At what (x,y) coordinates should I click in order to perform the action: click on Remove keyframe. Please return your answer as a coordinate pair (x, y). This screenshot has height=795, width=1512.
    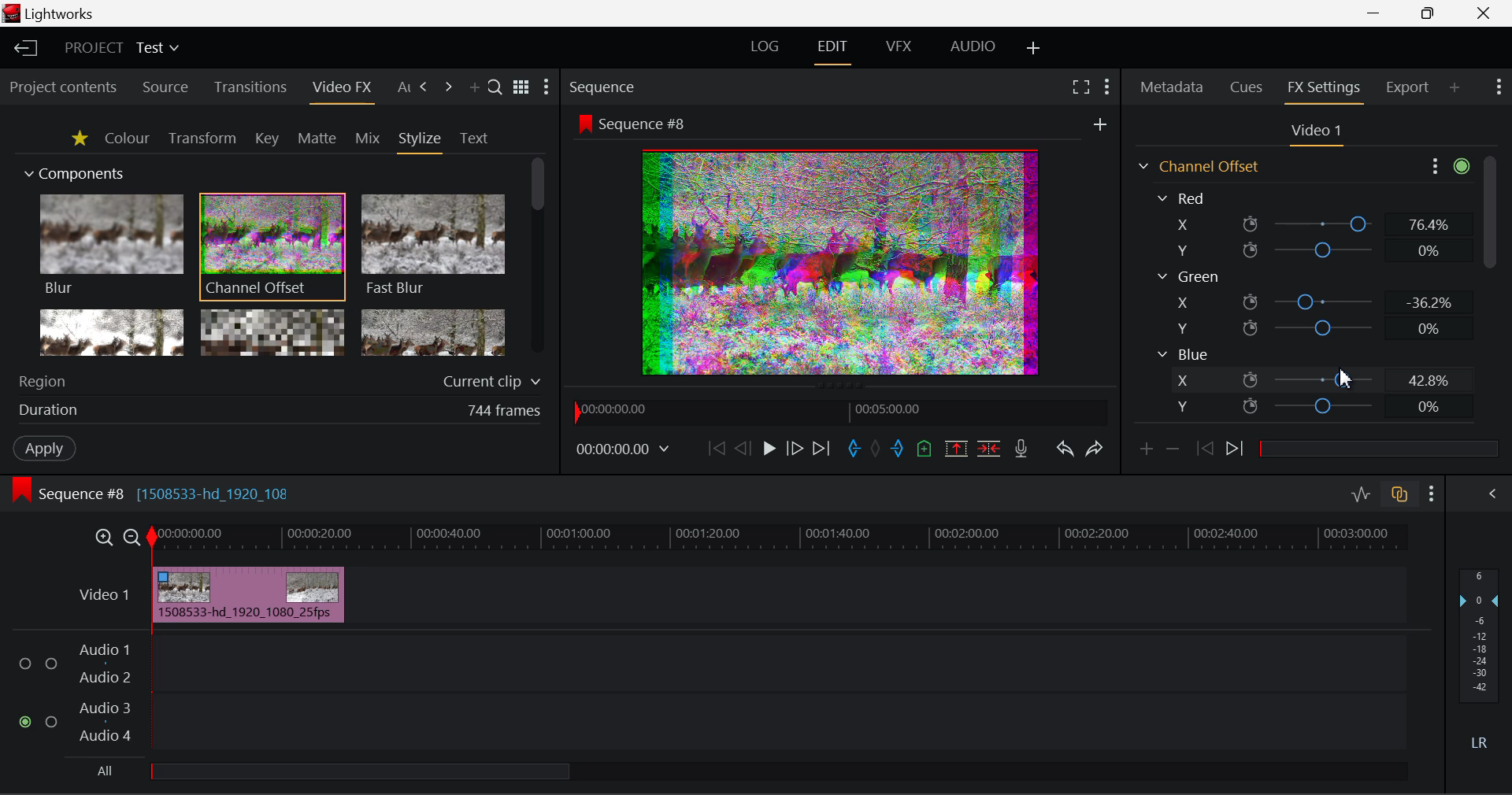
    Looking at the image, I should click on (1173, 453).